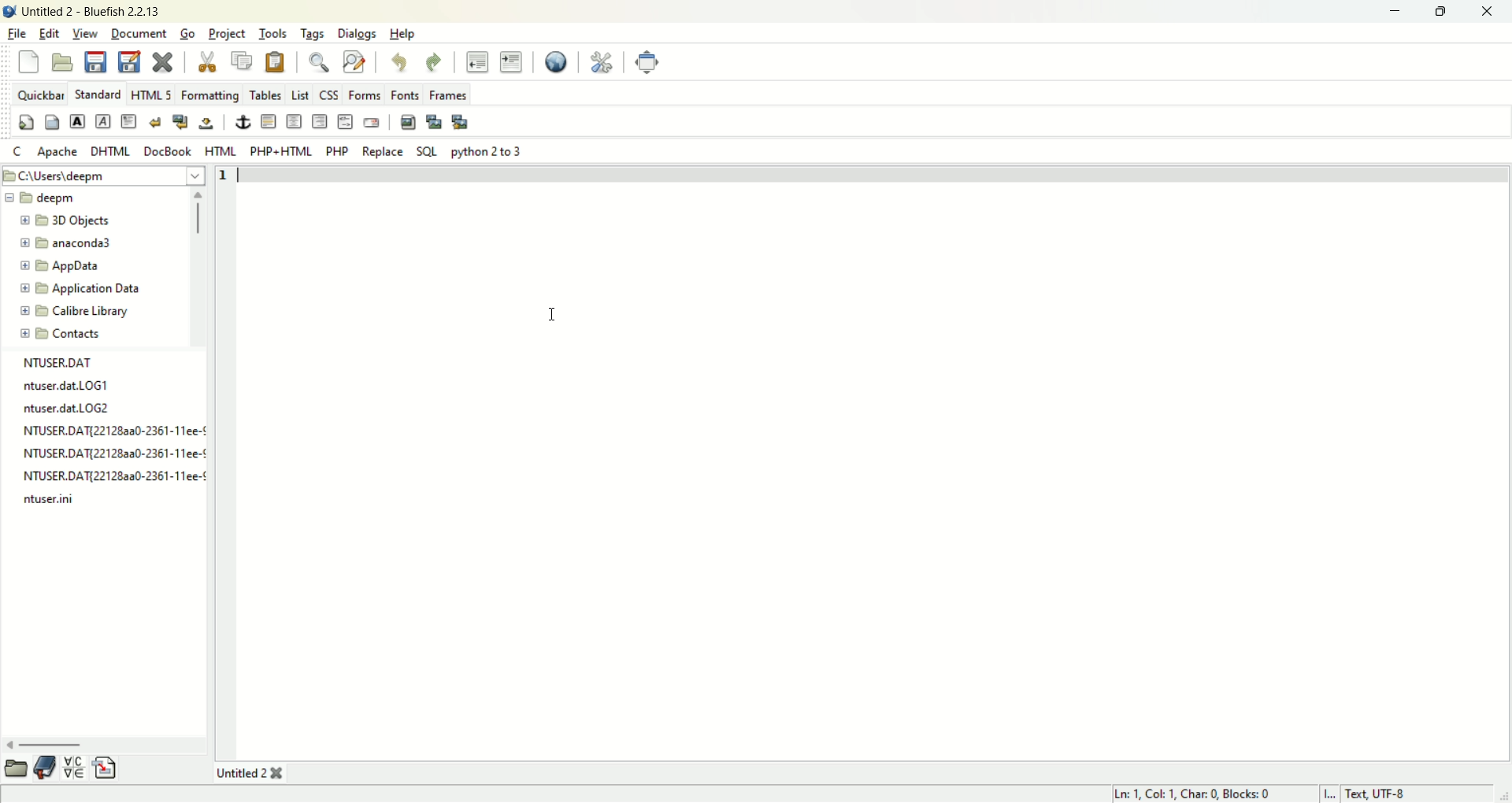 This screenshot has height=803, width=1512. Describe the element at coordinates (63, 62) in the screenshot. I see `open` at that location.